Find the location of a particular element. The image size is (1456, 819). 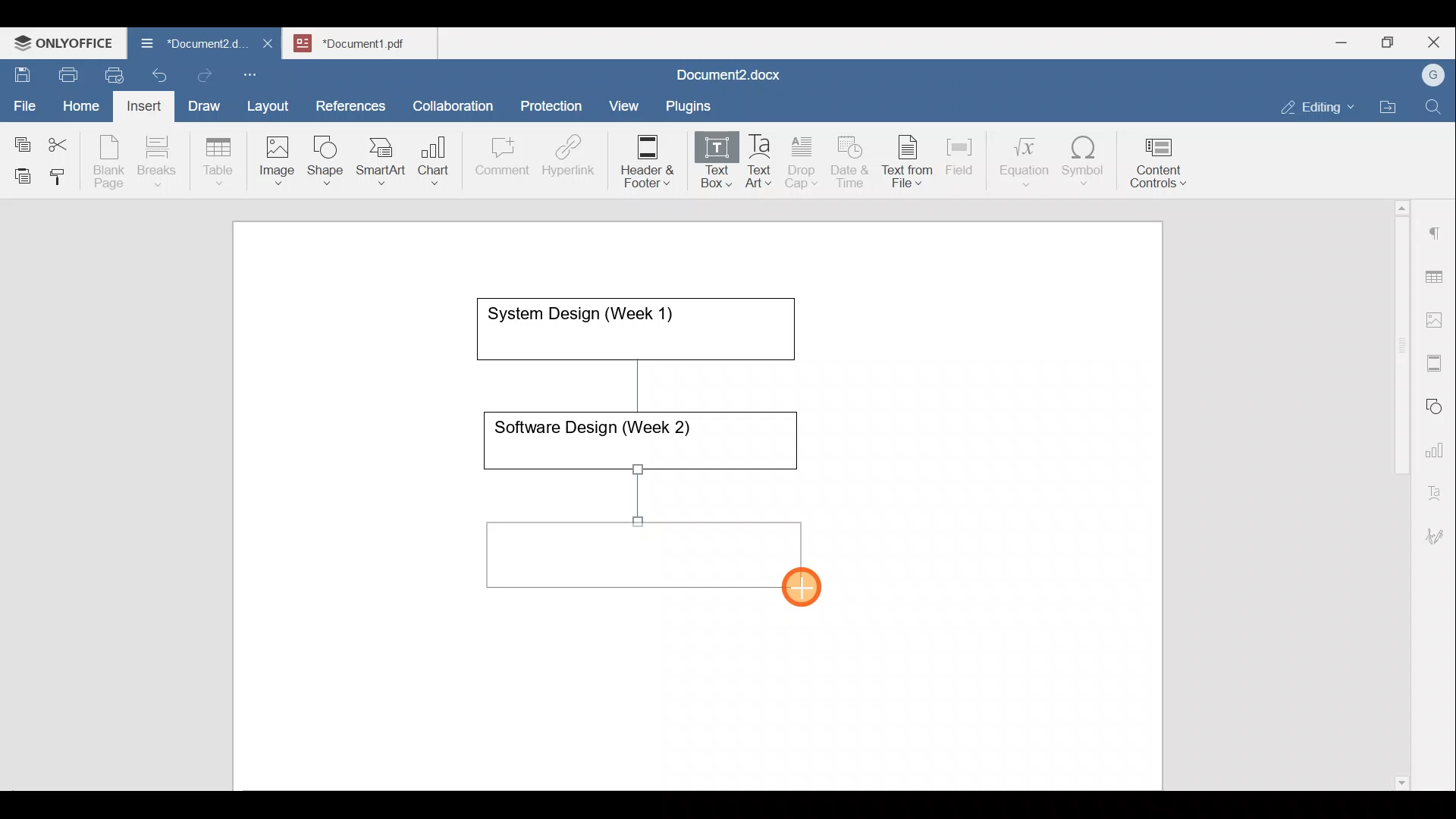

Shape is located at coordinates (327, 153).